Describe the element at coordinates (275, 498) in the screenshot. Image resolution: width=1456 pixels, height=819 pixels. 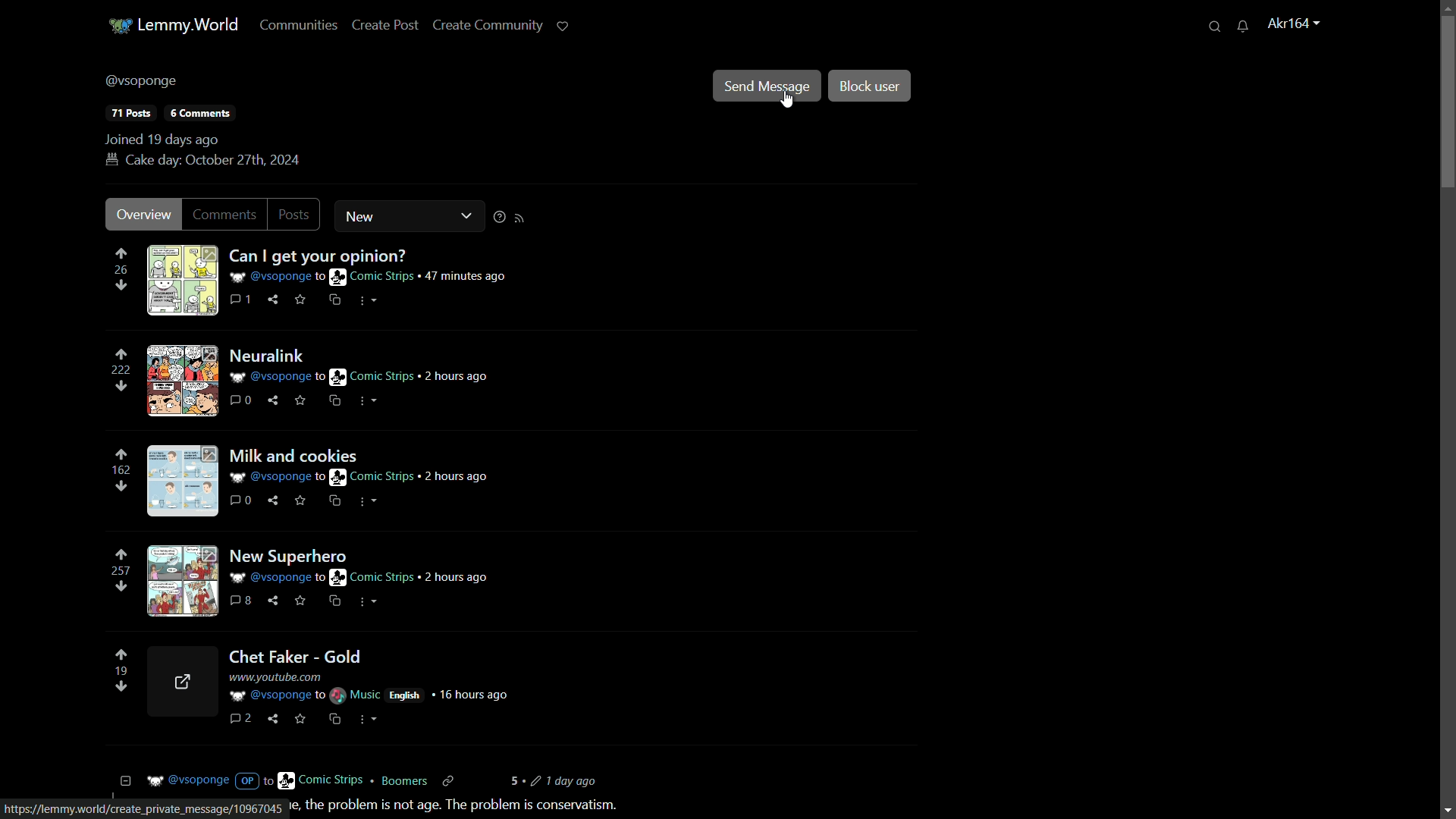
I see `share` at that location.